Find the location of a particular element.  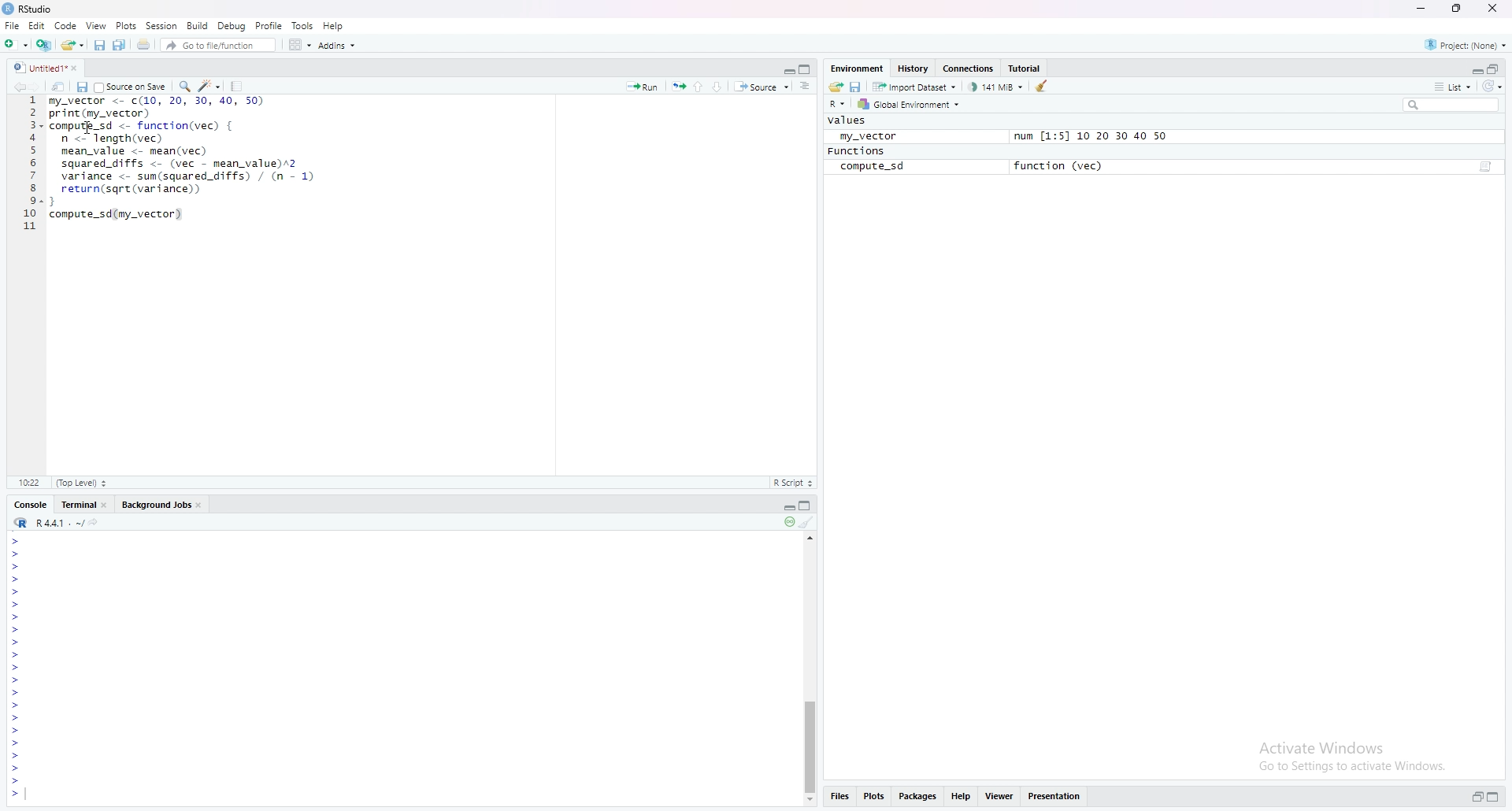

Save workspace as is located at coordinates (858, 86).